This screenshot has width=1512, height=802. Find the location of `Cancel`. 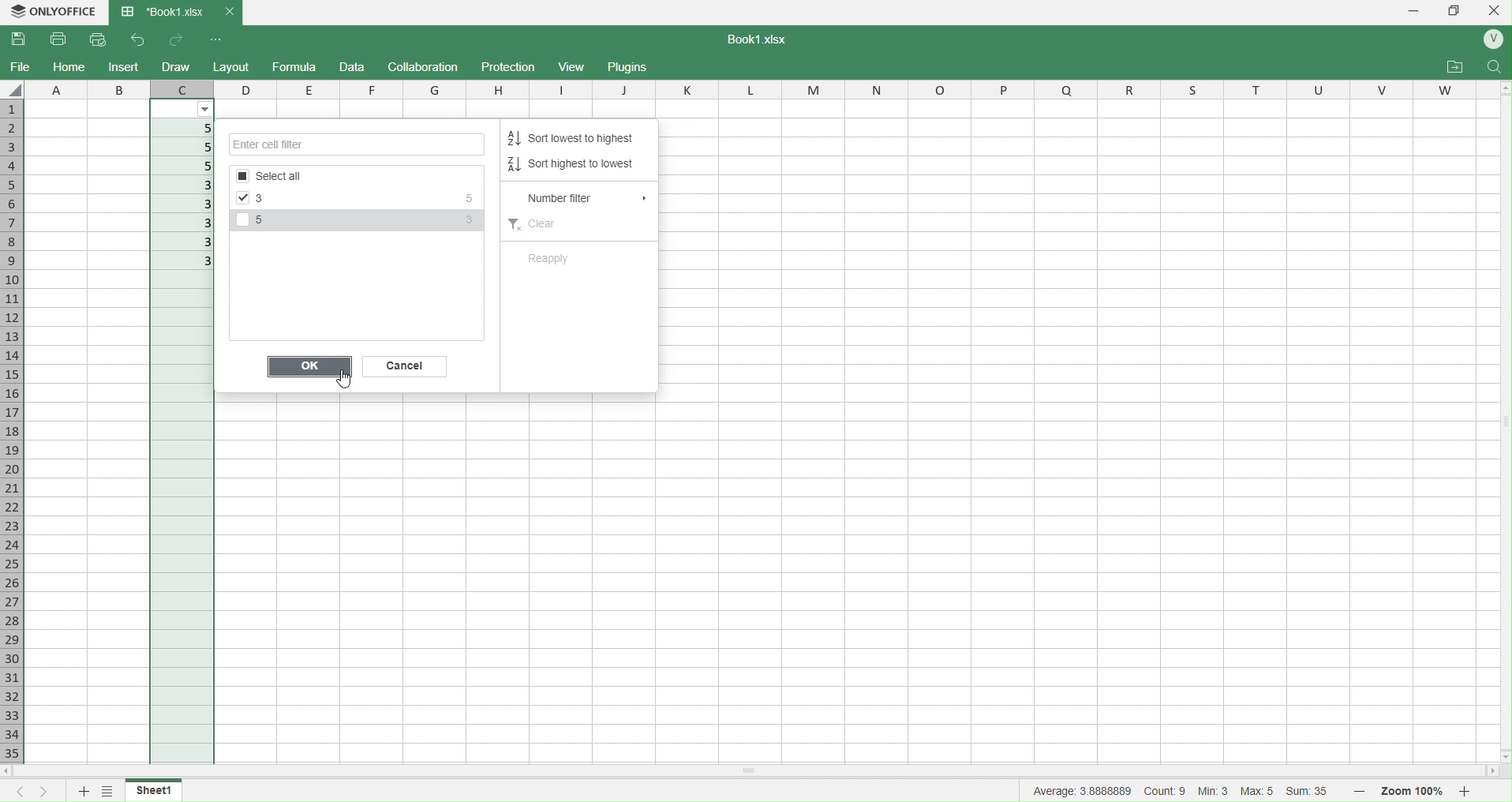

Cancel is located at coordinates (406, 369).